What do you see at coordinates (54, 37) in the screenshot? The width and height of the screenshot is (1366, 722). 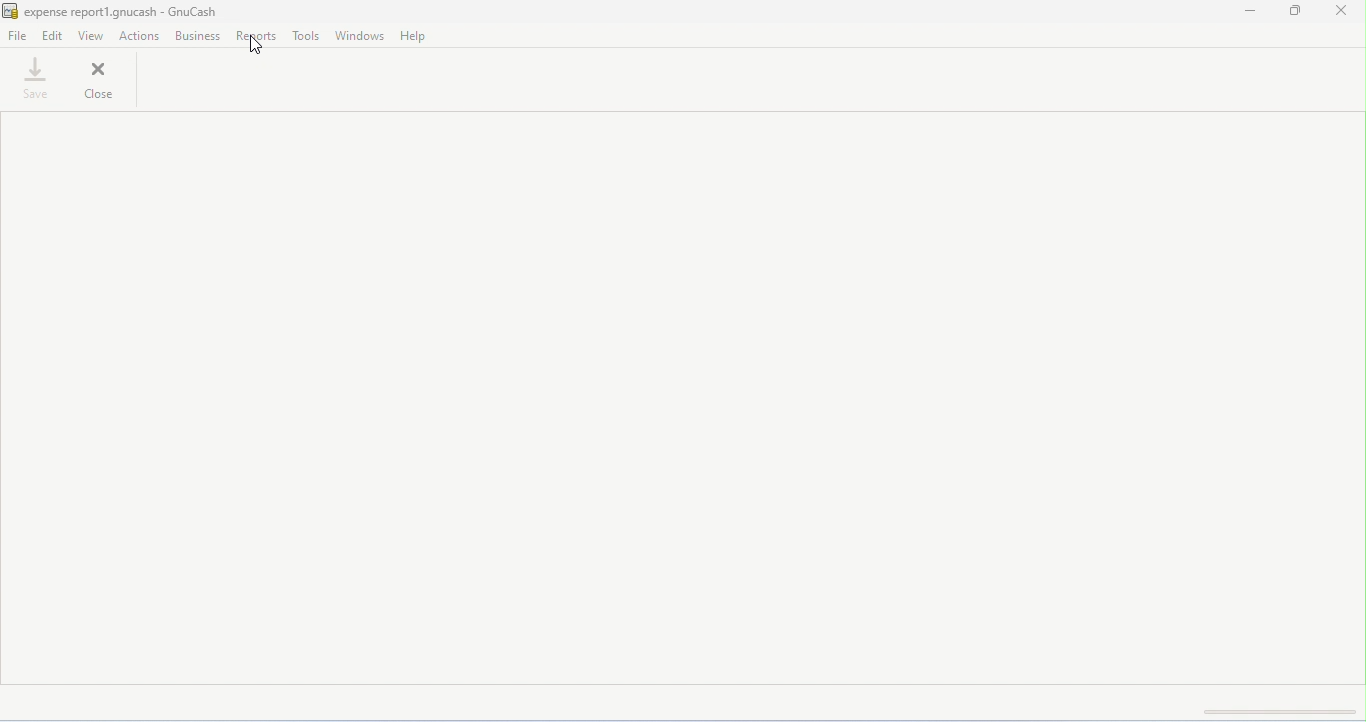 I see `edit` at bounding box center [54, 37].